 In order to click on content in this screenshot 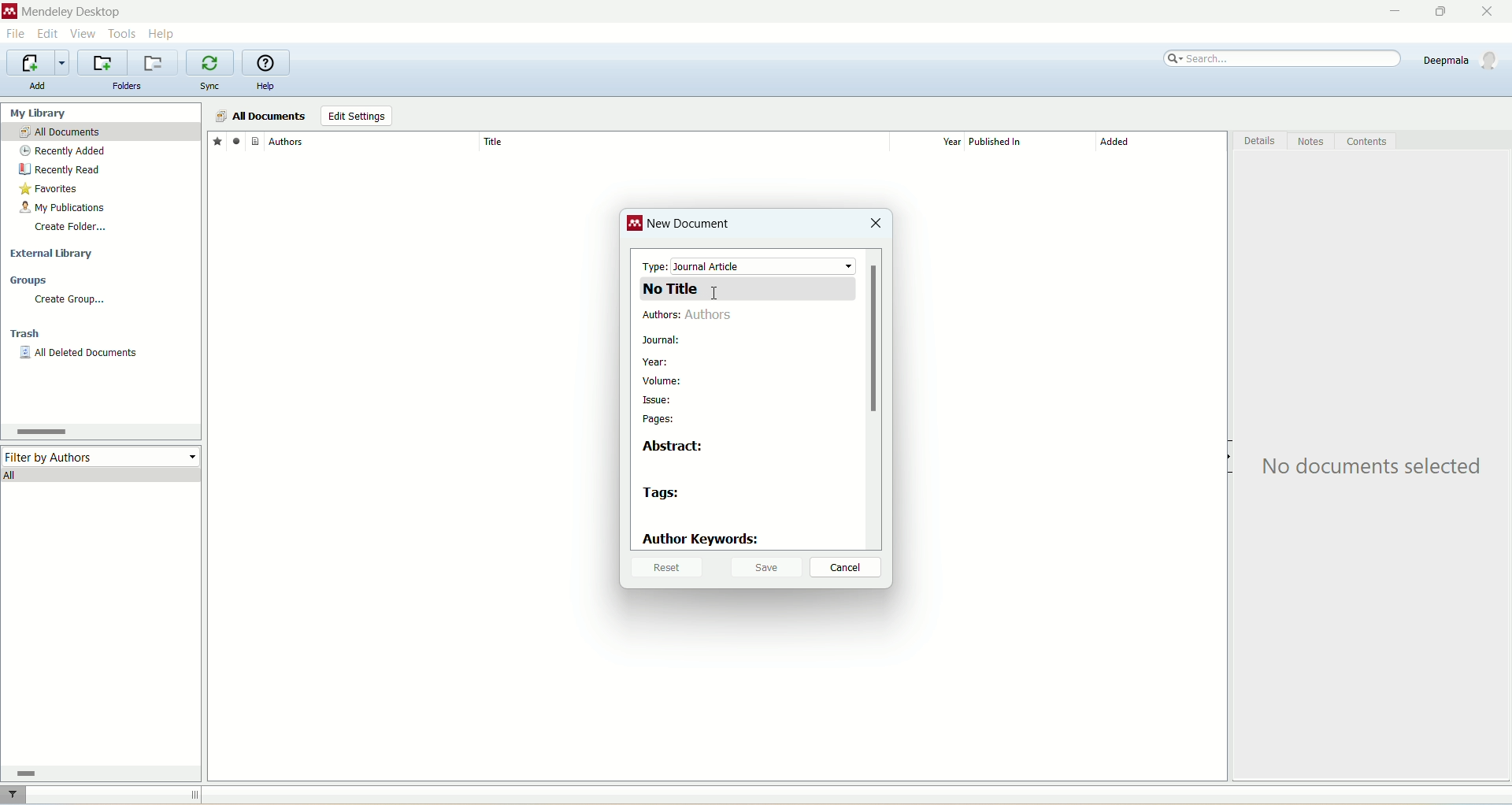, I will do `click(1366, 142)`.